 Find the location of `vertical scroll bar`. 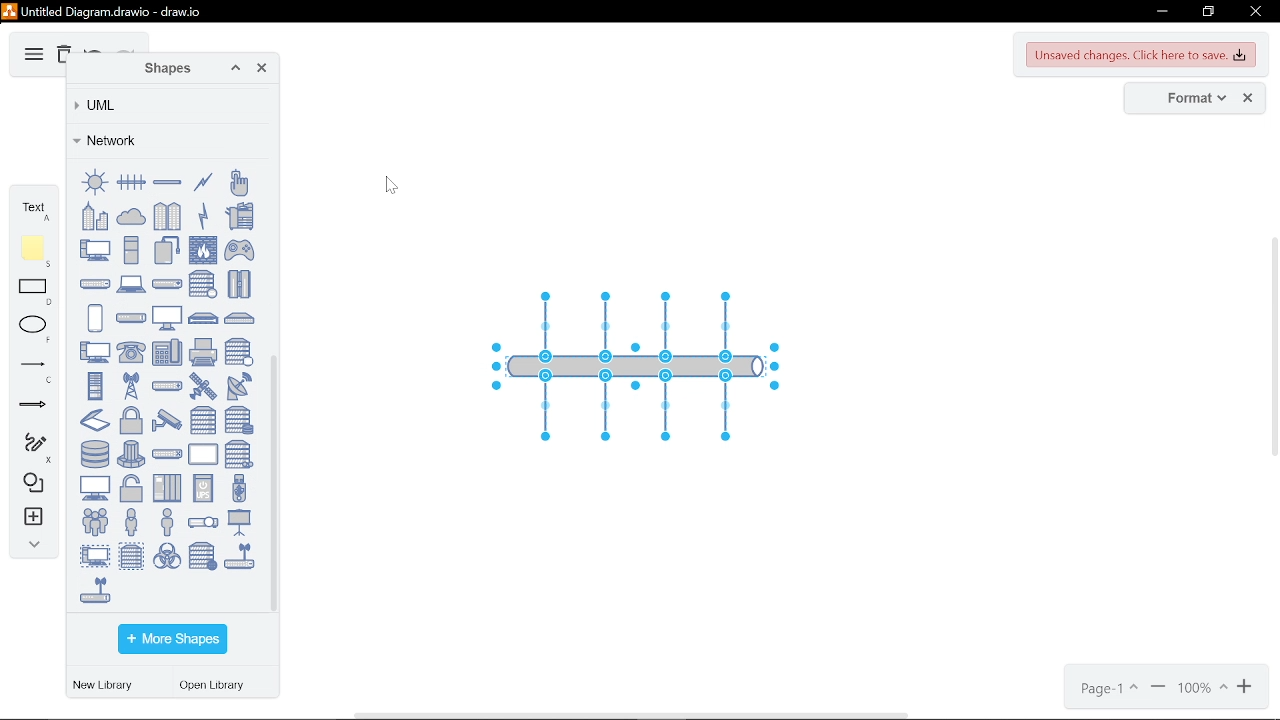

vertical scroll bar is located at coordinates (1273, 399).